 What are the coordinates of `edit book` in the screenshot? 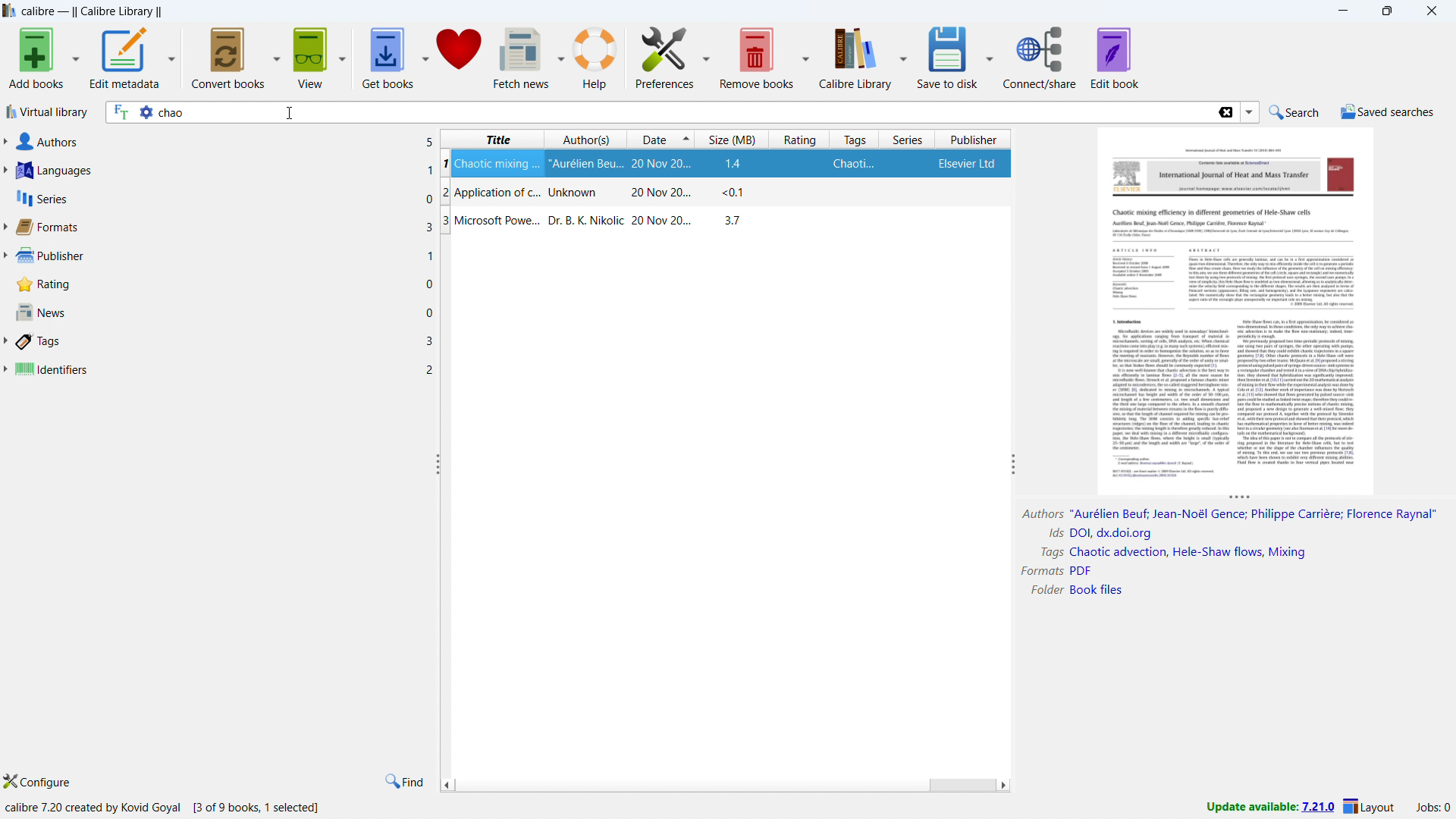 It's located at (1115, 57).